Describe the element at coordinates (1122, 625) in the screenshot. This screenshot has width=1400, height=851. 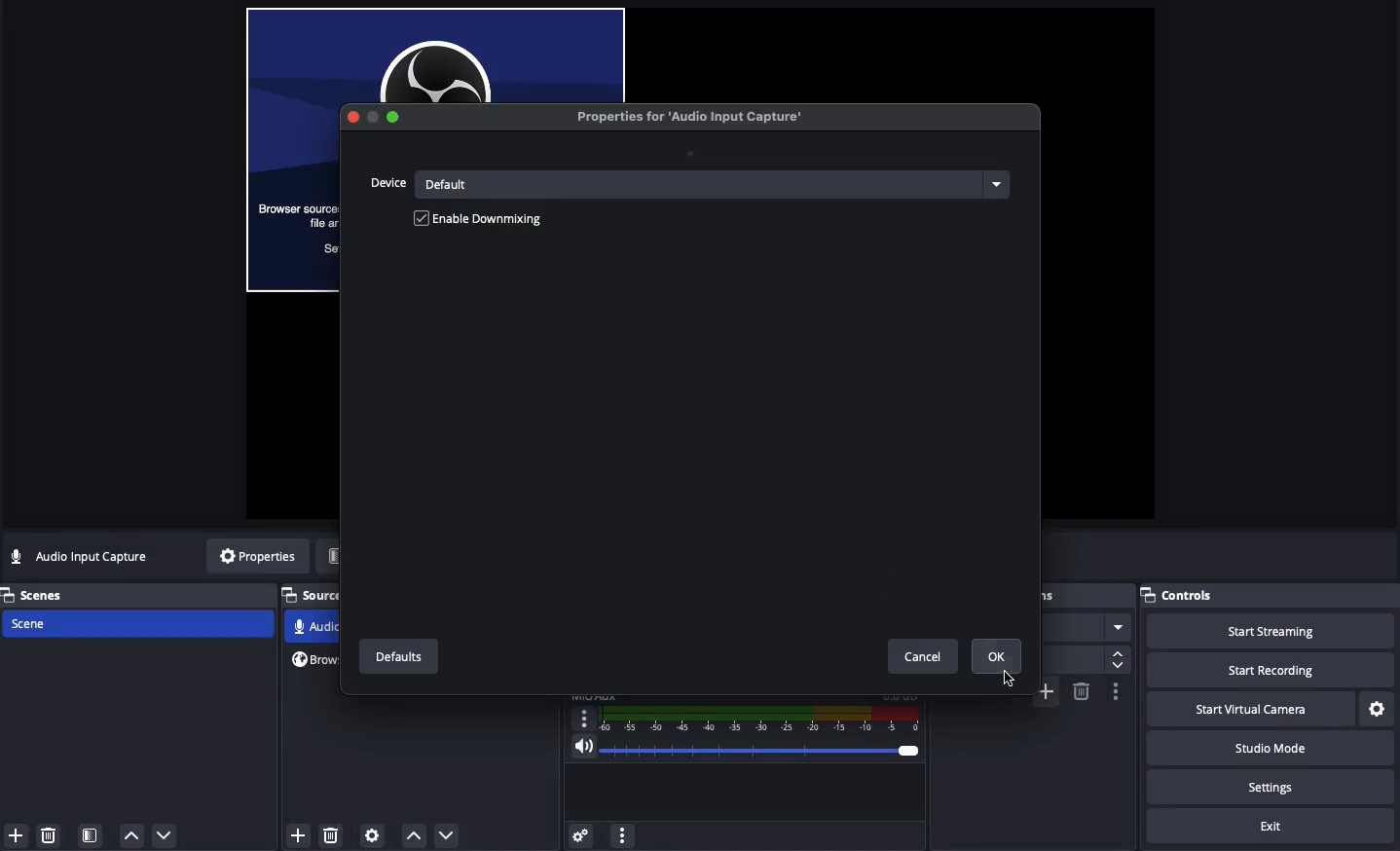
I see `drop down` at that location.